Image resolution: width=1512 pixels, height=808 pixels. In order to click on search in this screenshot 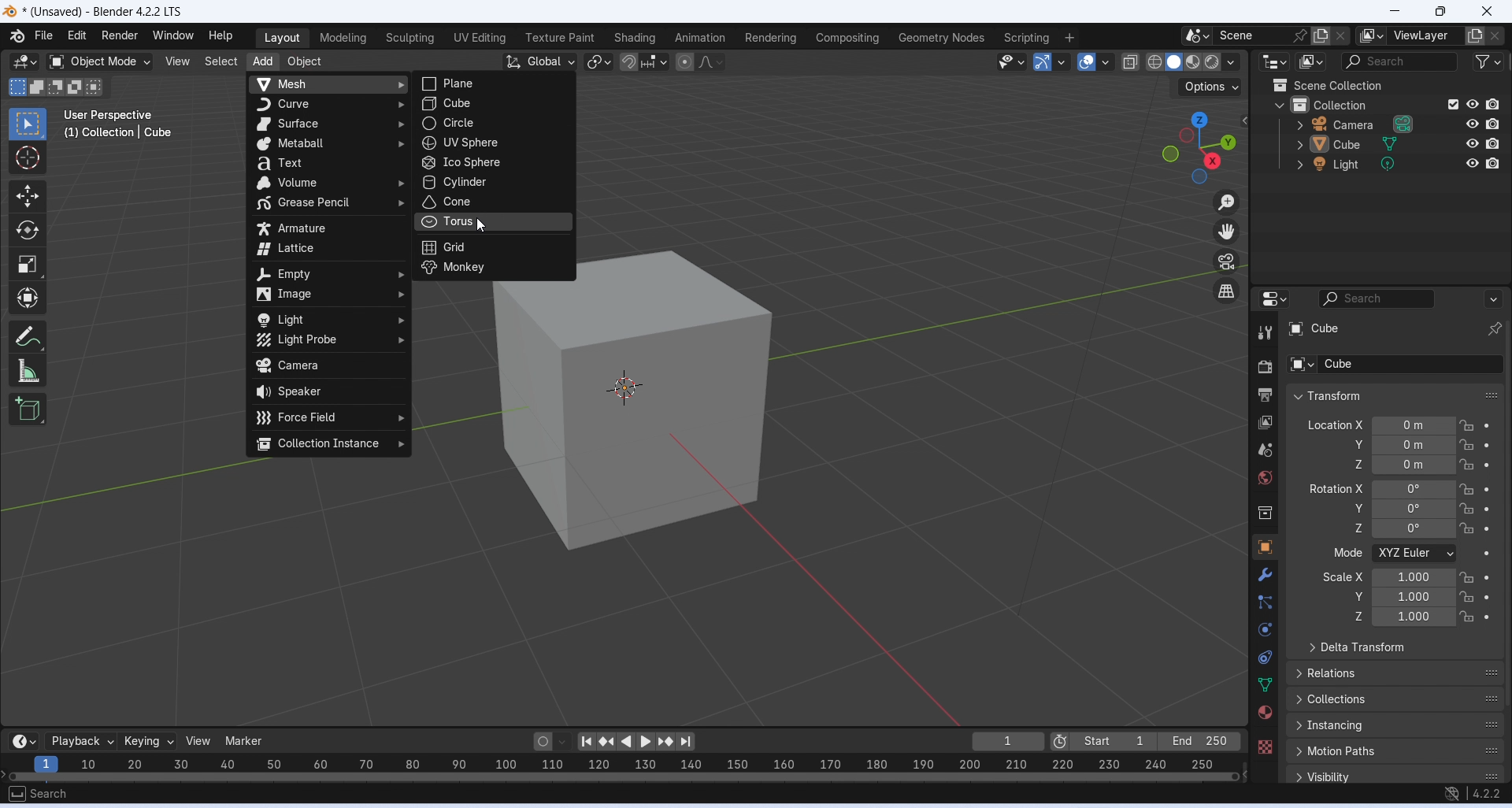, I will do `click(41, 793)`.